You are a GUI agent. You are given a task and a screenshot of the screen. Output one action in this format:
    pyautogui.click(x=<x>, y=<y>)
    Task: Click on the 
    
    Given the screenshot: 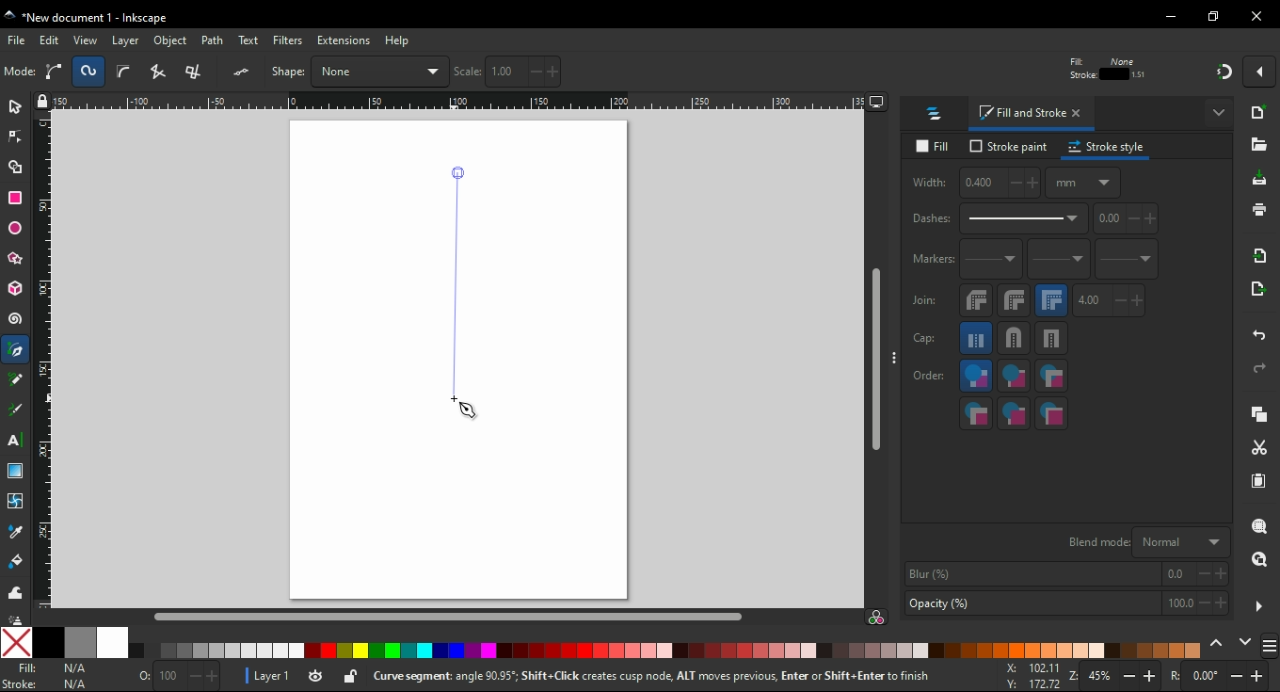 What is the action you would take?
    pyautogui.click(x=1108, y=299)
    